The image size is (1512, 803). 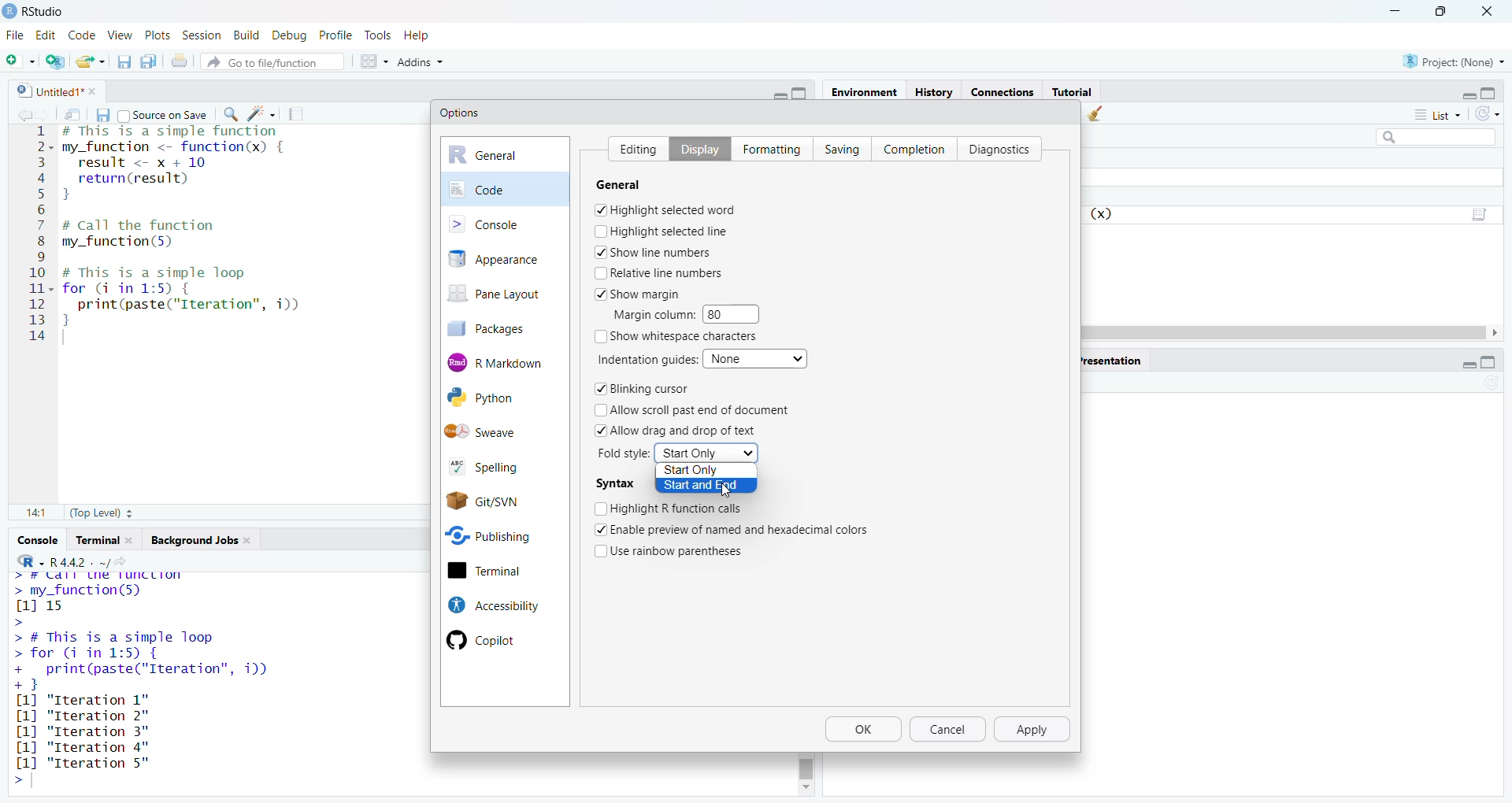 I want to click on console, so click(x=35, y=540).